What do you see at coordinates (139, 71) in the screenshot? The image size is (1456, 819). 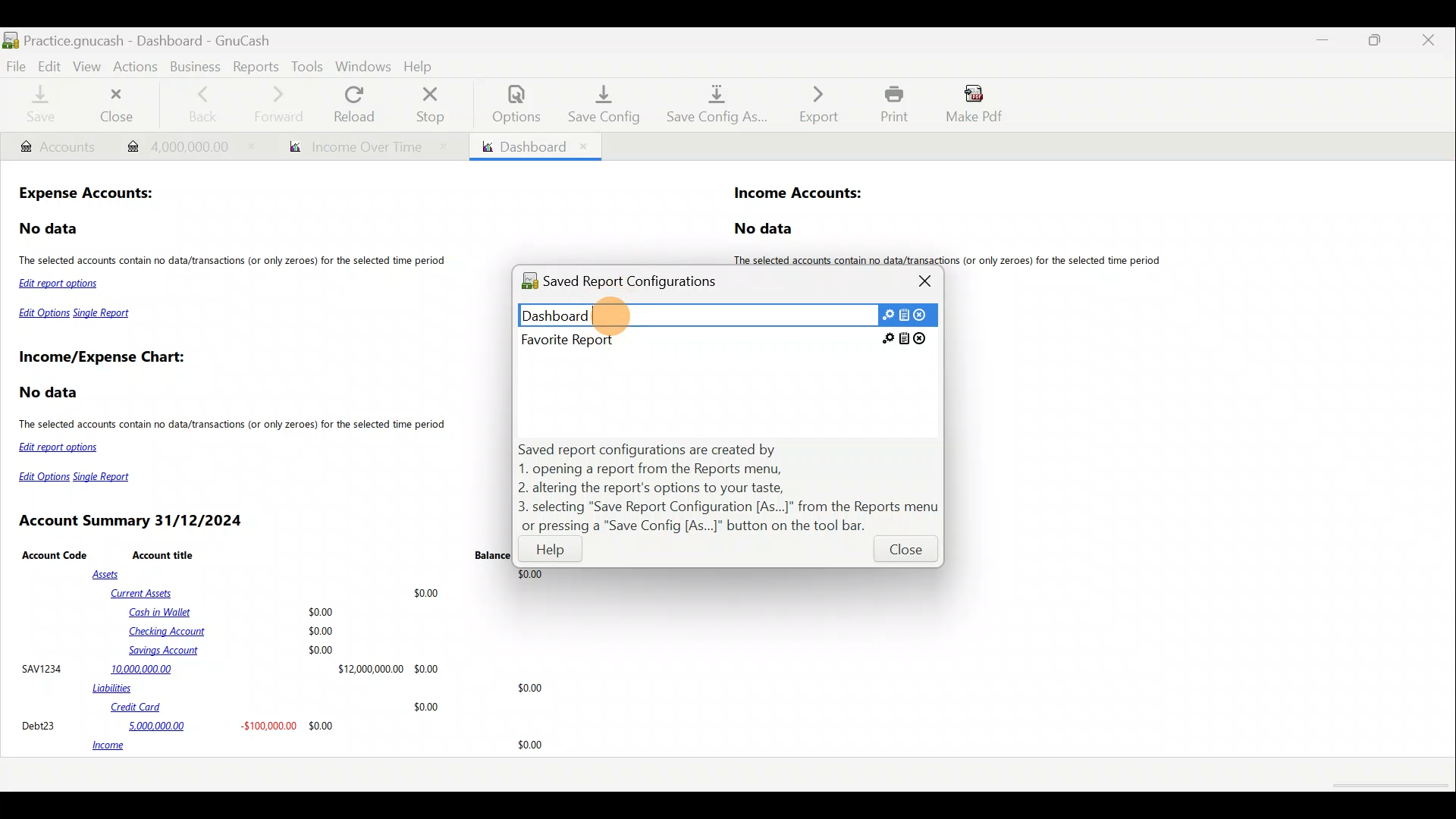 I see `Actions` at bounding box center [139, 71].